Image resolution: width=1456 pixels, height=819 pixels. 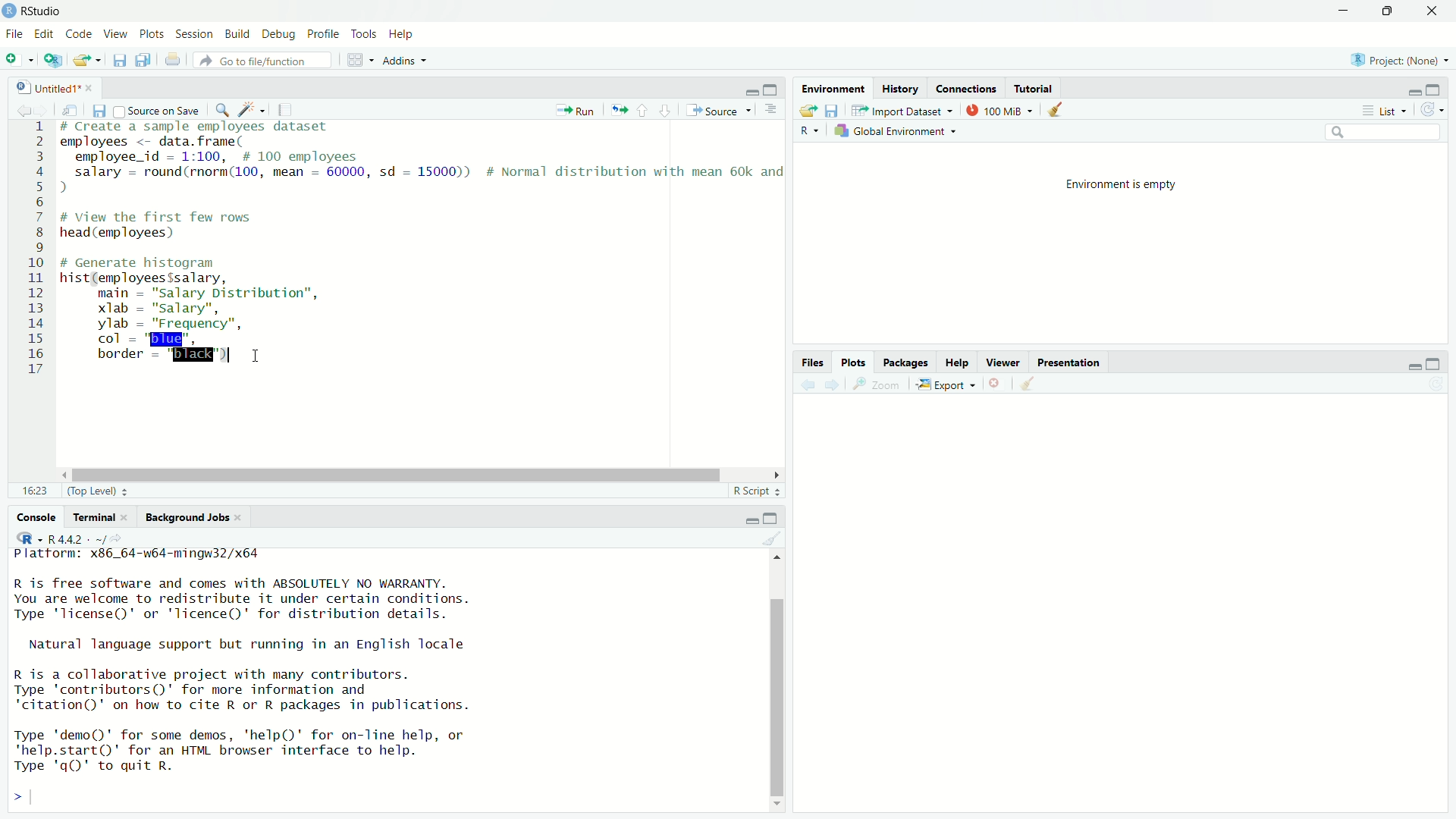 What do you see at coordinates (187, 518) in the screenshot?
I see `Background Jobs` at bounding box center [187, 518].